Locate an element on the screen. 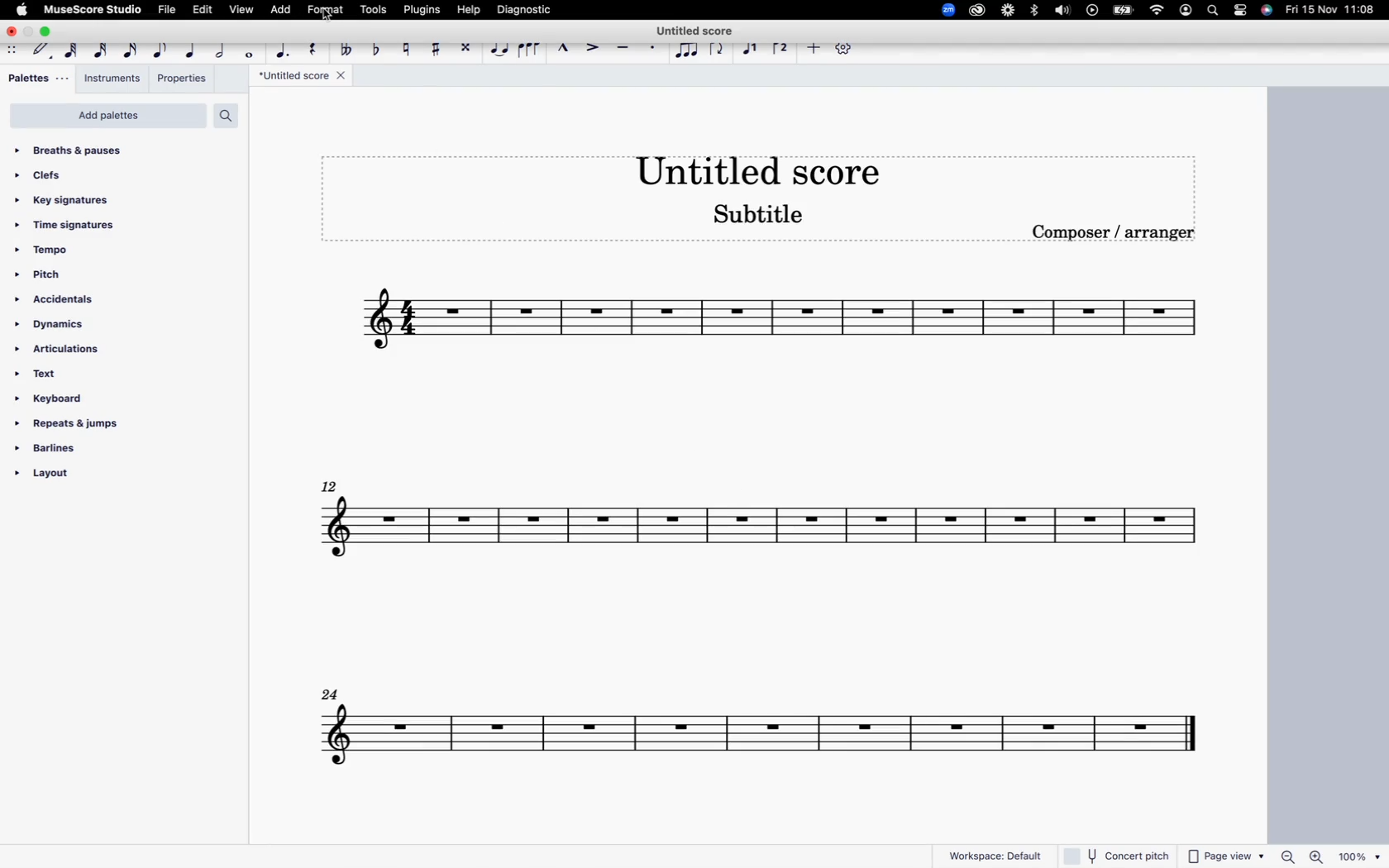 The image size is (1389, 868). tempo is located at coordinates (45, 249).